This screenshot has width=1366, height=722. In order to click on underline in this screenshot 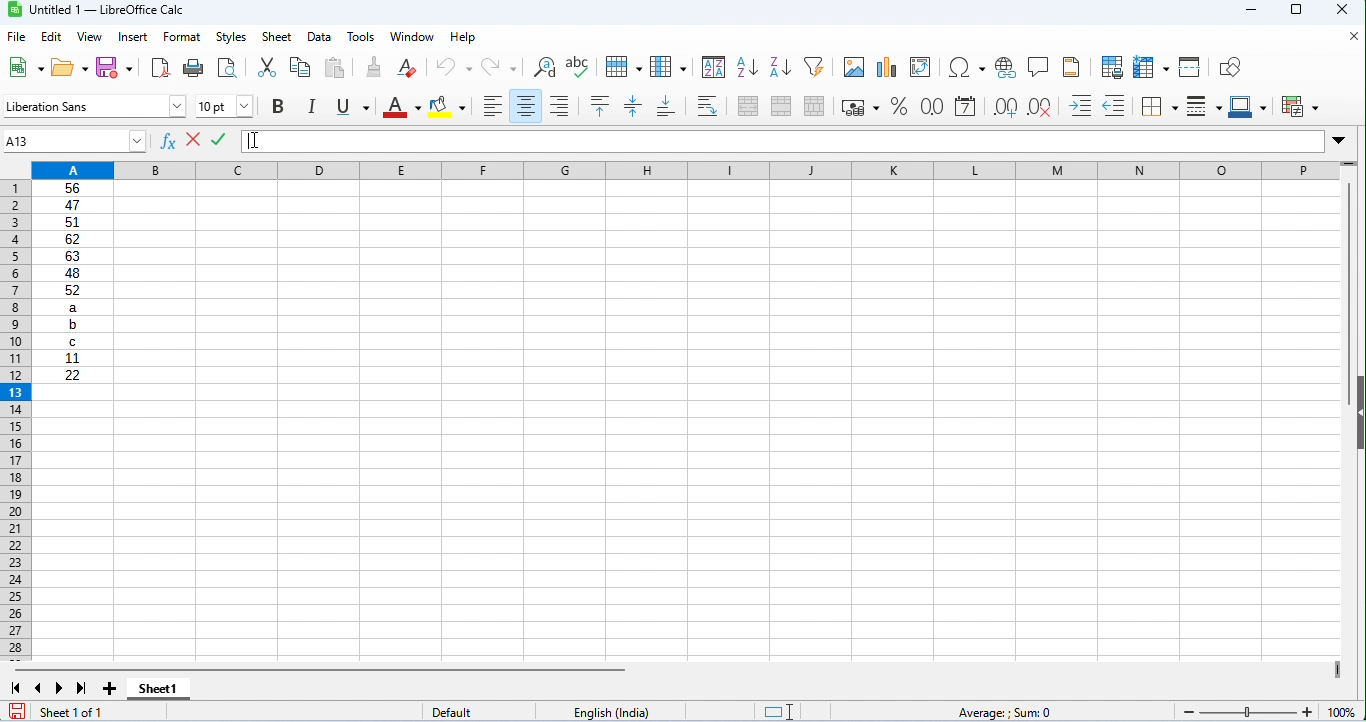, I will do `click(351, 106)`.